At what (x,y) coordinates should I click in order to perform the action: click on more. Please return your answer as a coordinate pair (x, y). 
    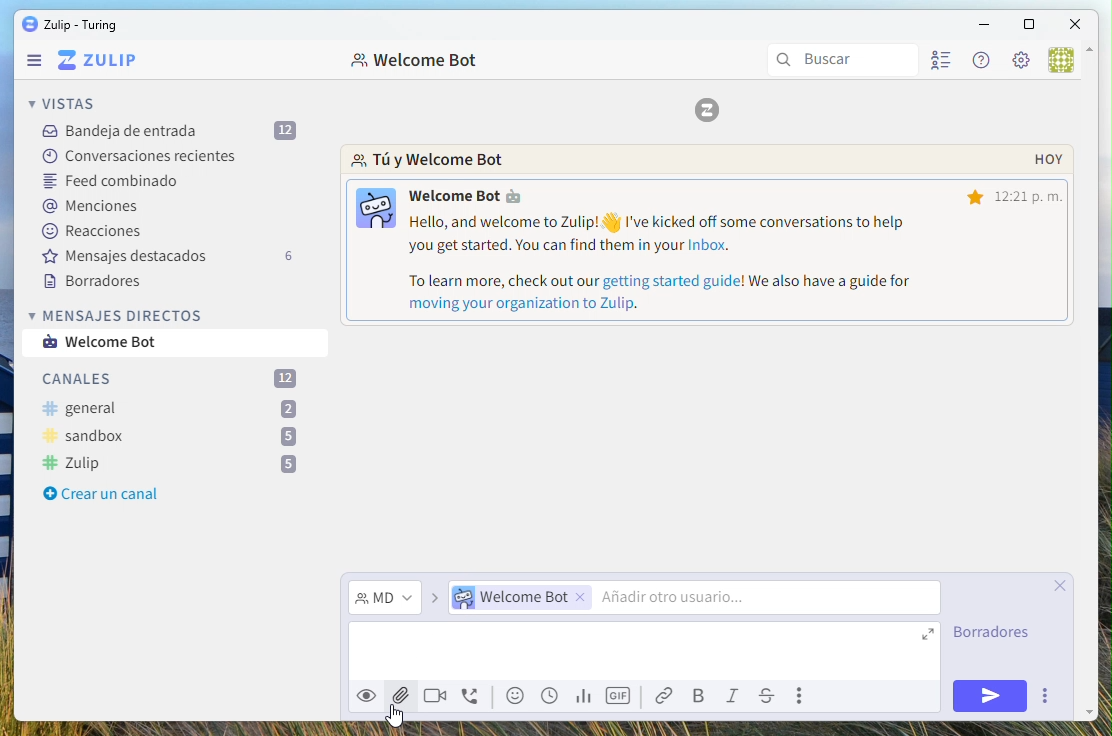
    Looking at the image, I should click on (1044, 696).